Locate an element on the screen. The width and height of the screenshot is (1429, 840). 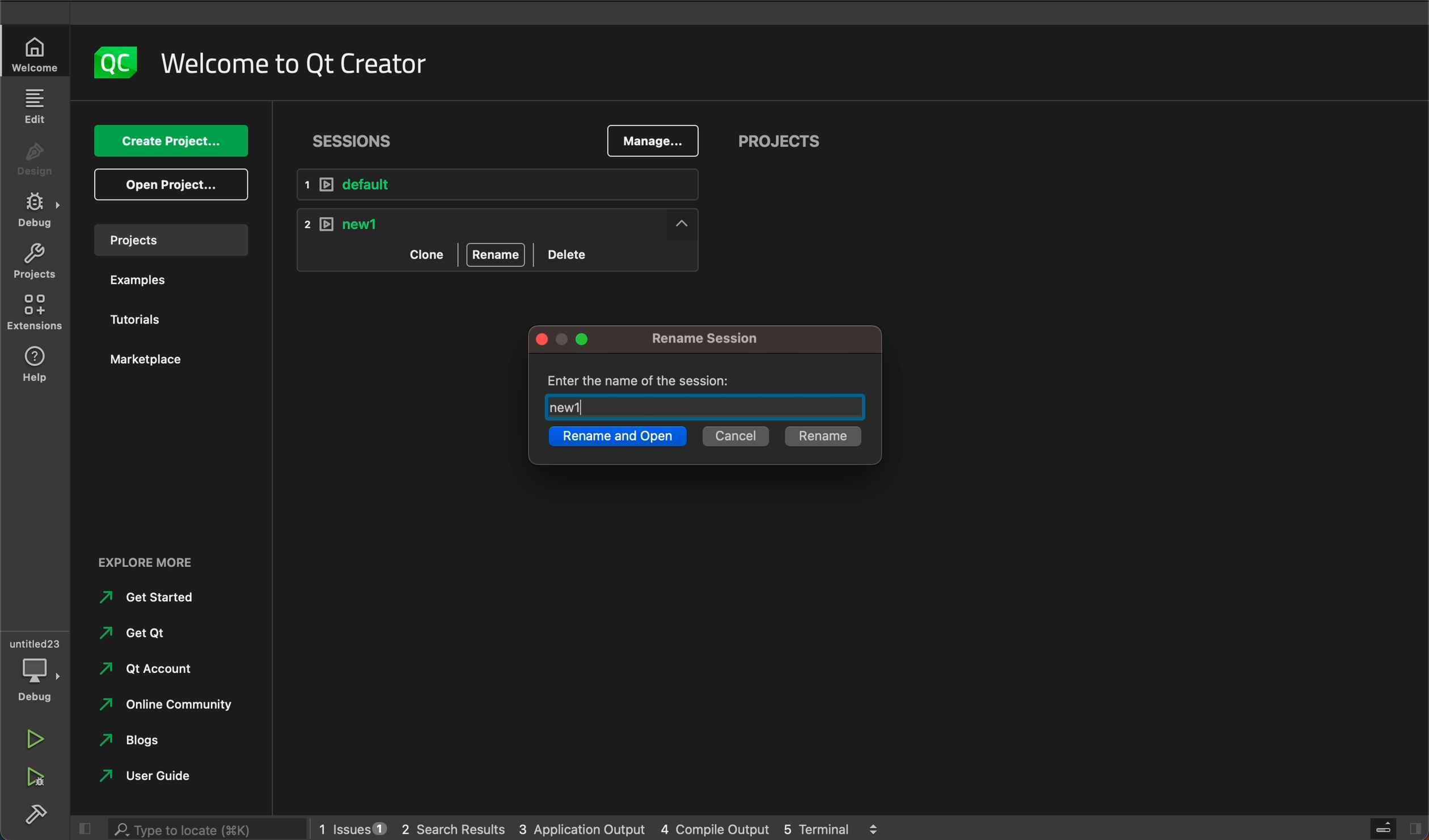
extension is located at coordinates (35, 309).